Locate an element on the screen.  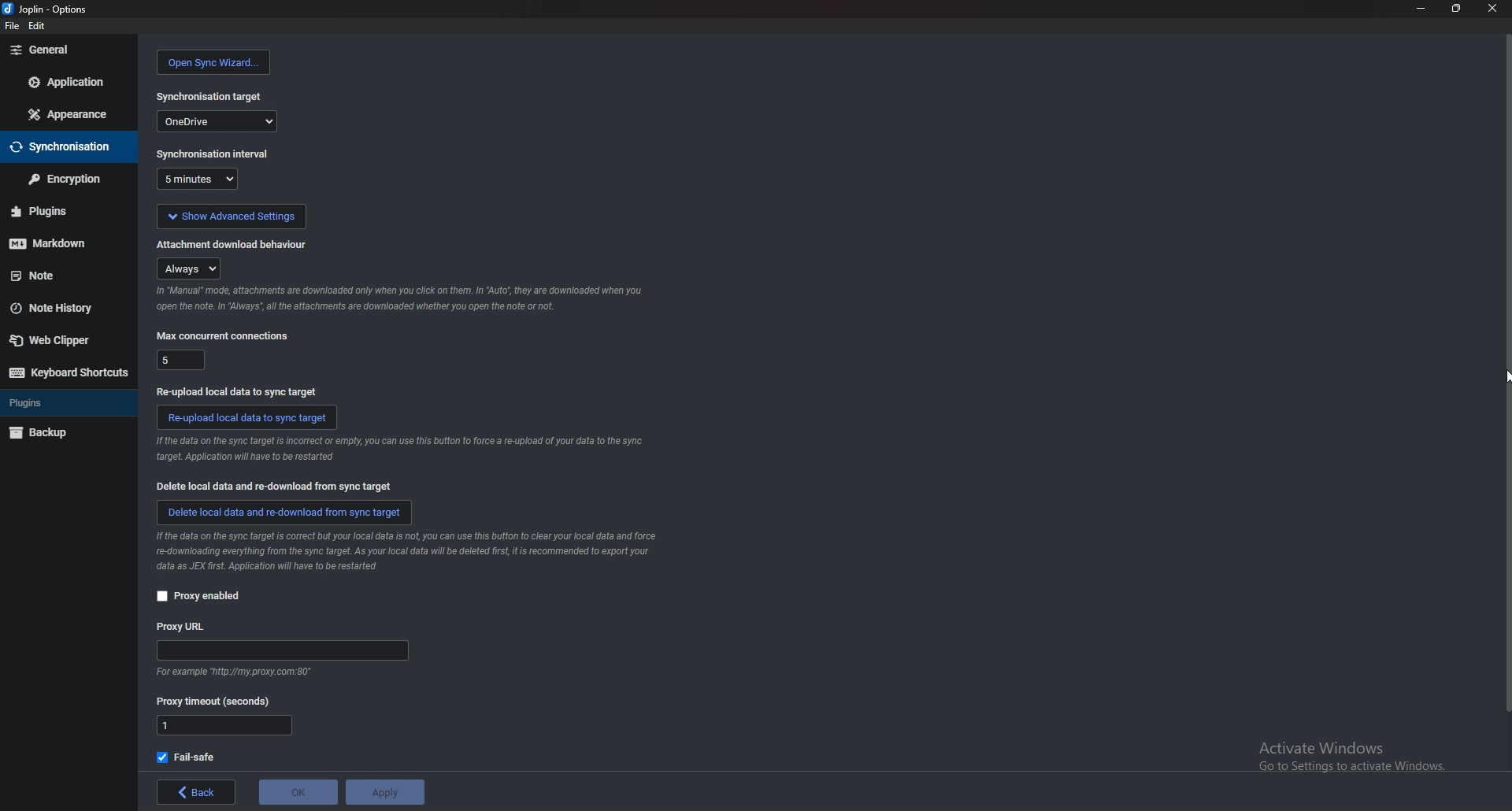
proxy enabled is located at coordinates (203, 597).